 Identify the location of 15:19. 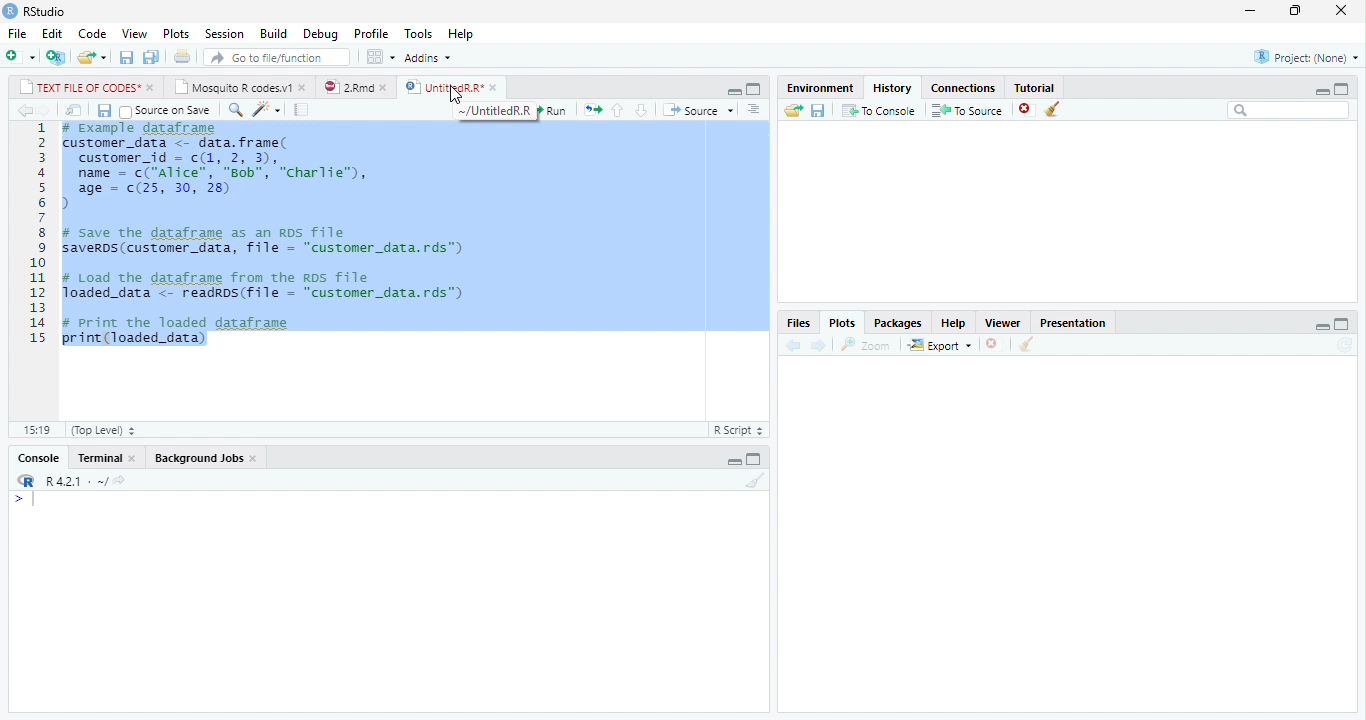
(39, 430).